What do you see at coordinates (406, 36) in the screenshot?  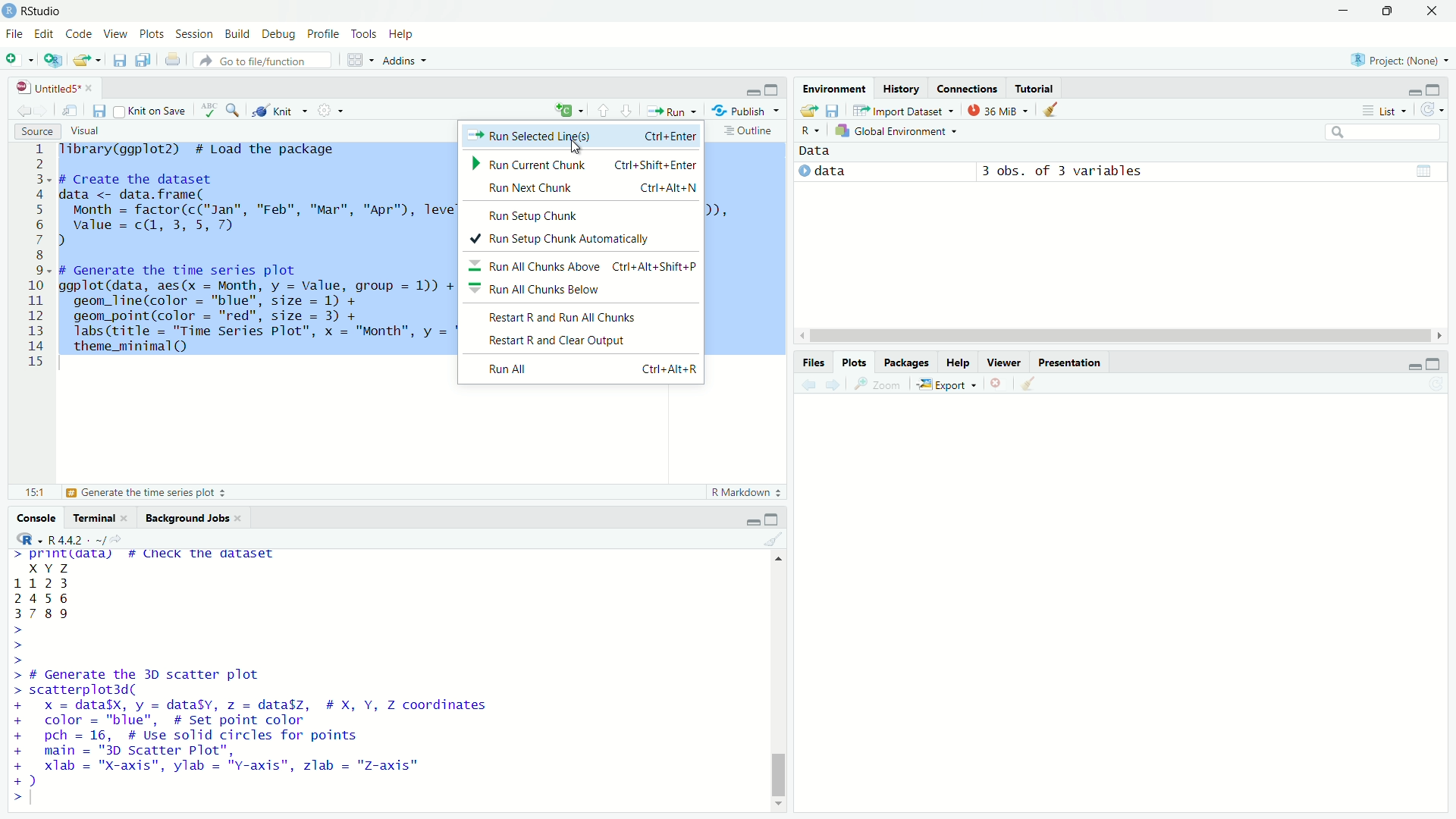 I see `help` at bounding box center [406, 36].